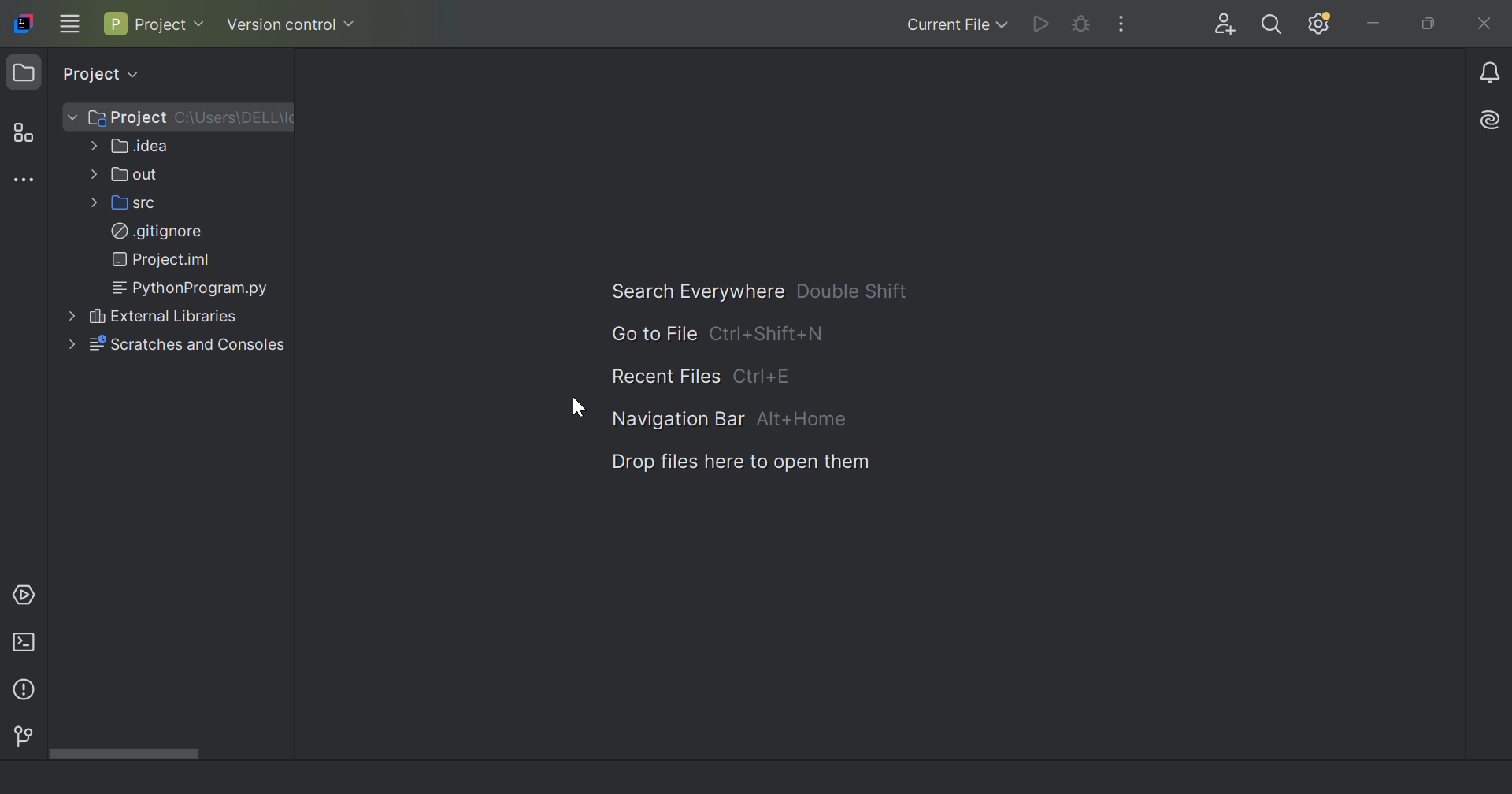 The height and width of the screenshot is (794, 1512). What do you see at coordinates (28, 642) in the screenshot?
I see `Terminal` at bounding box center [28, 642].